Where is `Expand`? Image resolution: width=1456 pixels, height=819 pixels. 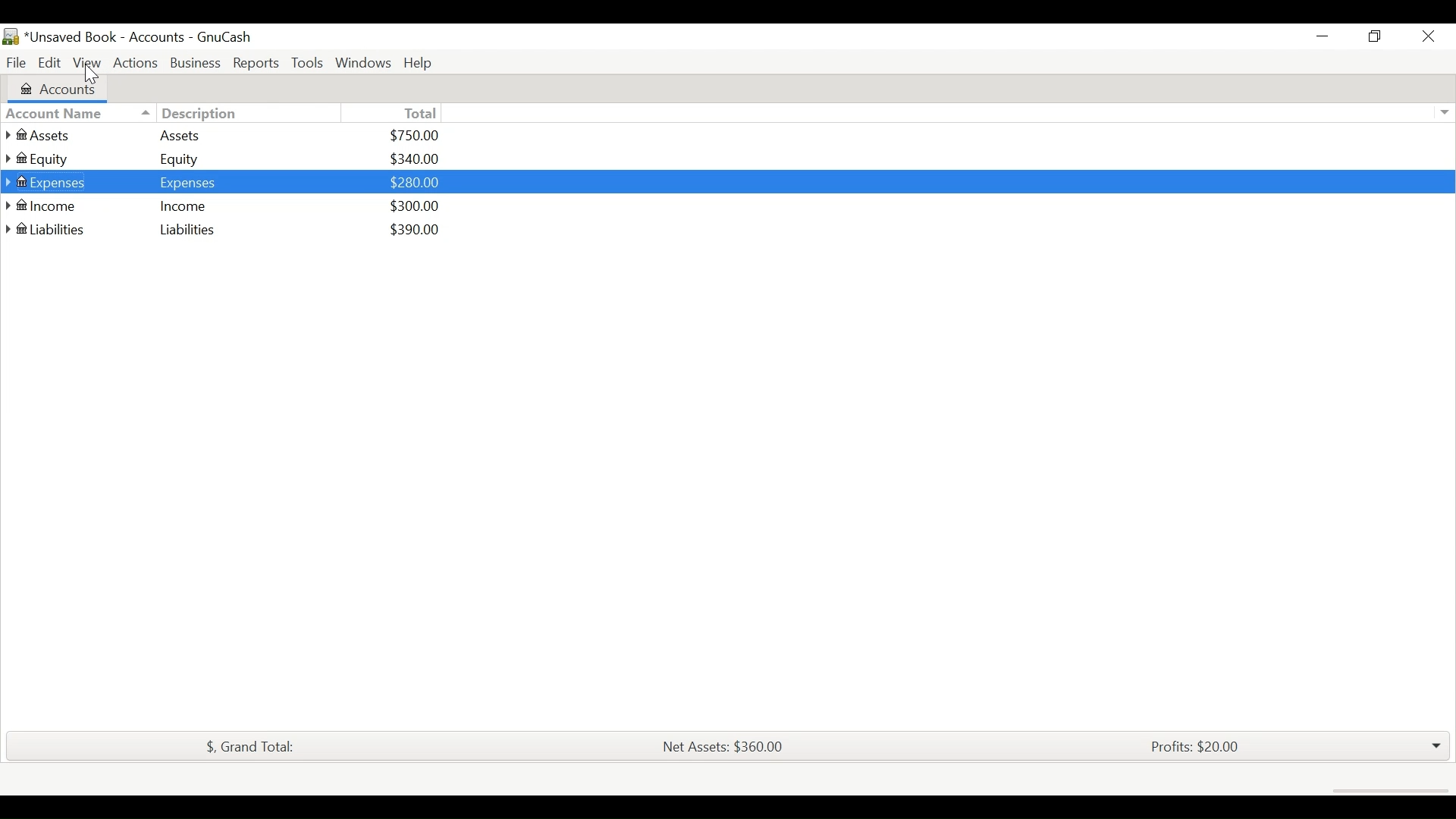 Expand is located at coordinates (1442, 113).